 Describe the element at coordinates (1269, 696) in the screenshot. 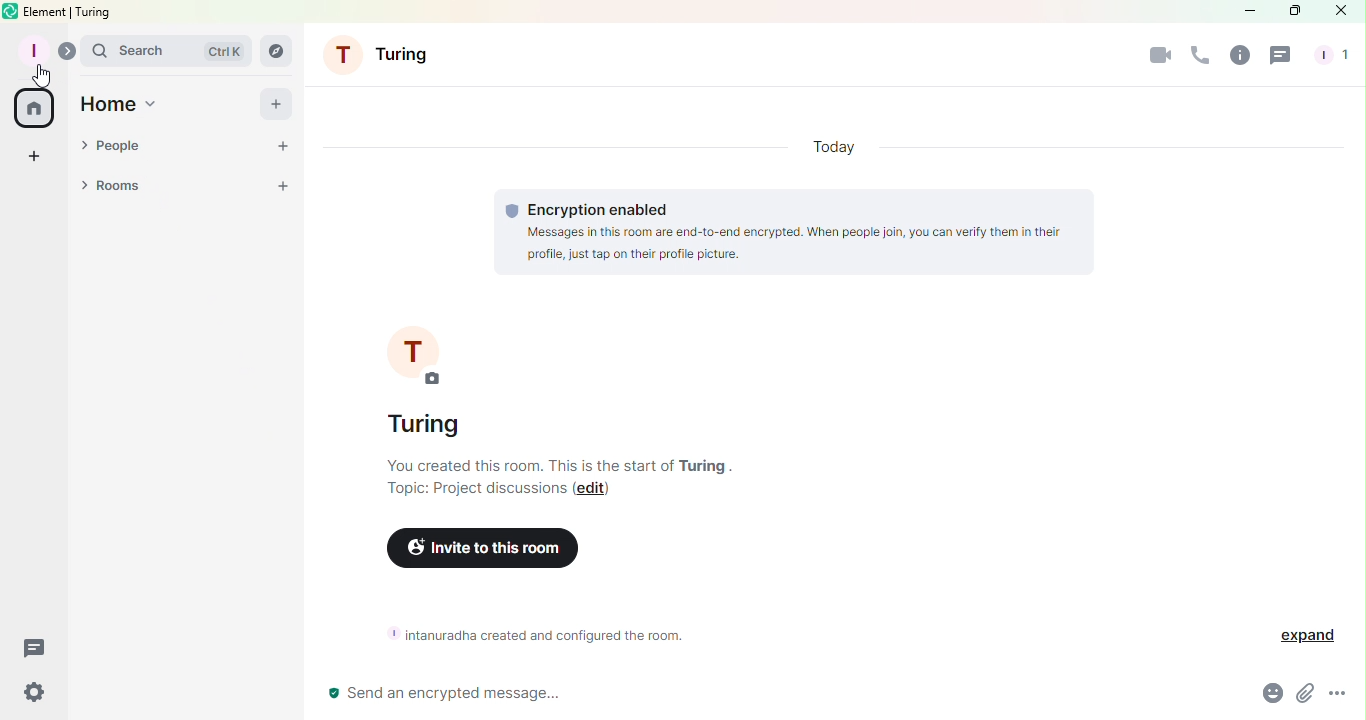

I see `Emoji` at that location.